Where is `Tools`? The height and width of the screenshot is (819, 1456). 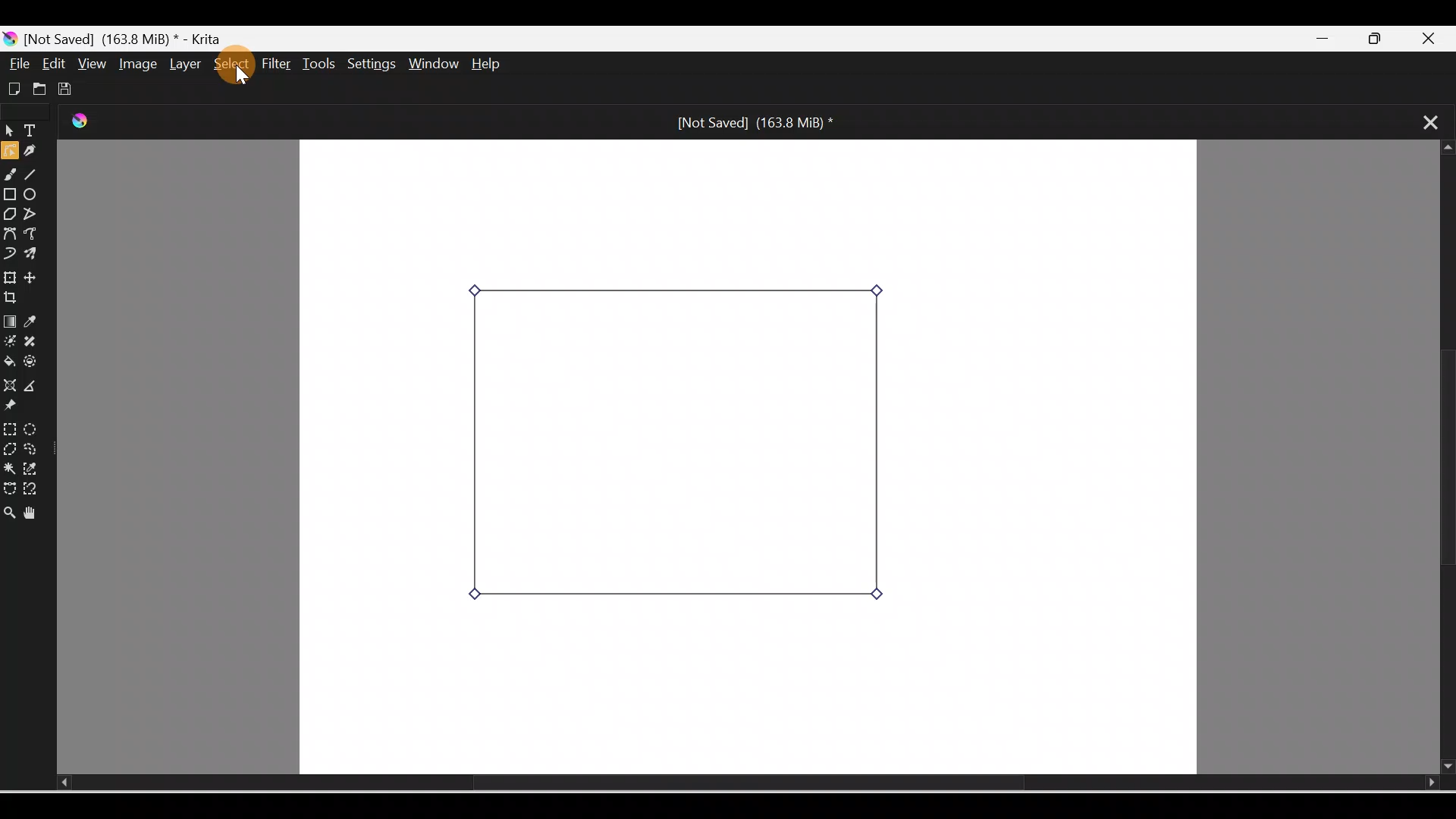
Tools is located at coordinates (322, 64).